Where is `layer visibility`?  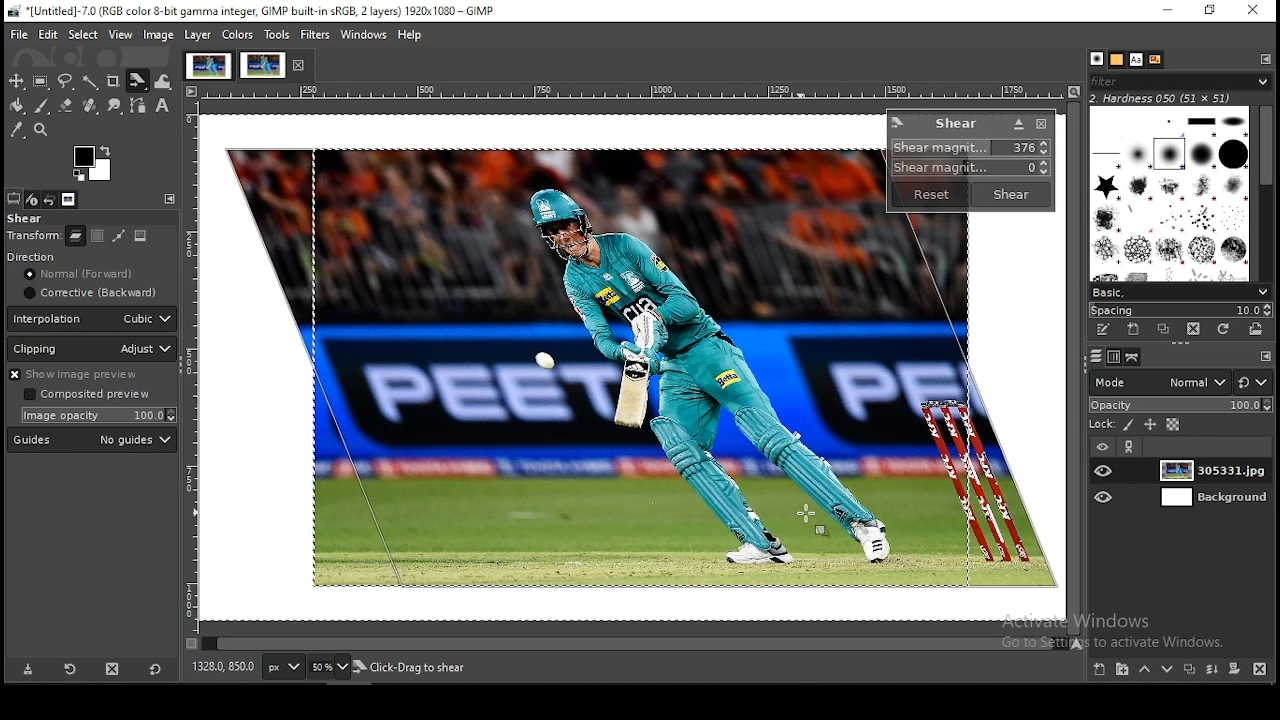
layer visibility is located at coordinates (1099, 447).